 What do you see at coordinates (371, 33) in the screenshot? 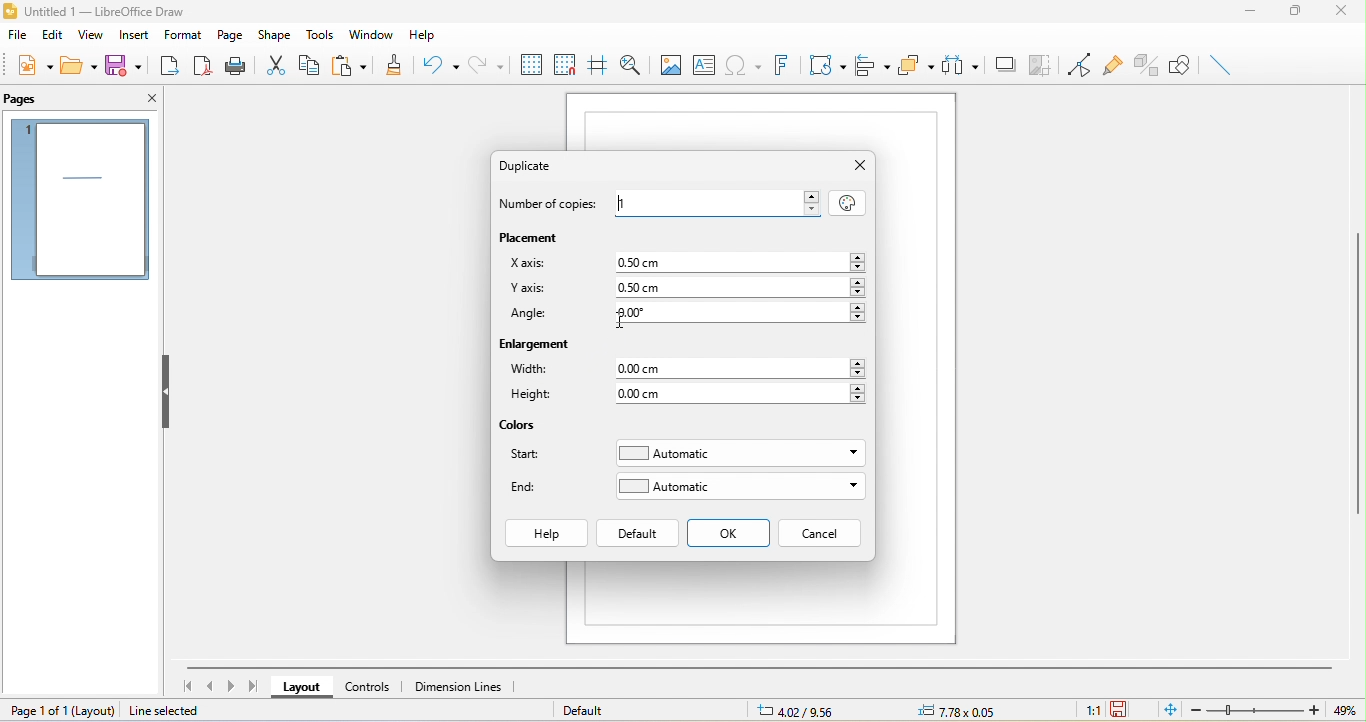
I see `window` at bounding box center [371, 33].